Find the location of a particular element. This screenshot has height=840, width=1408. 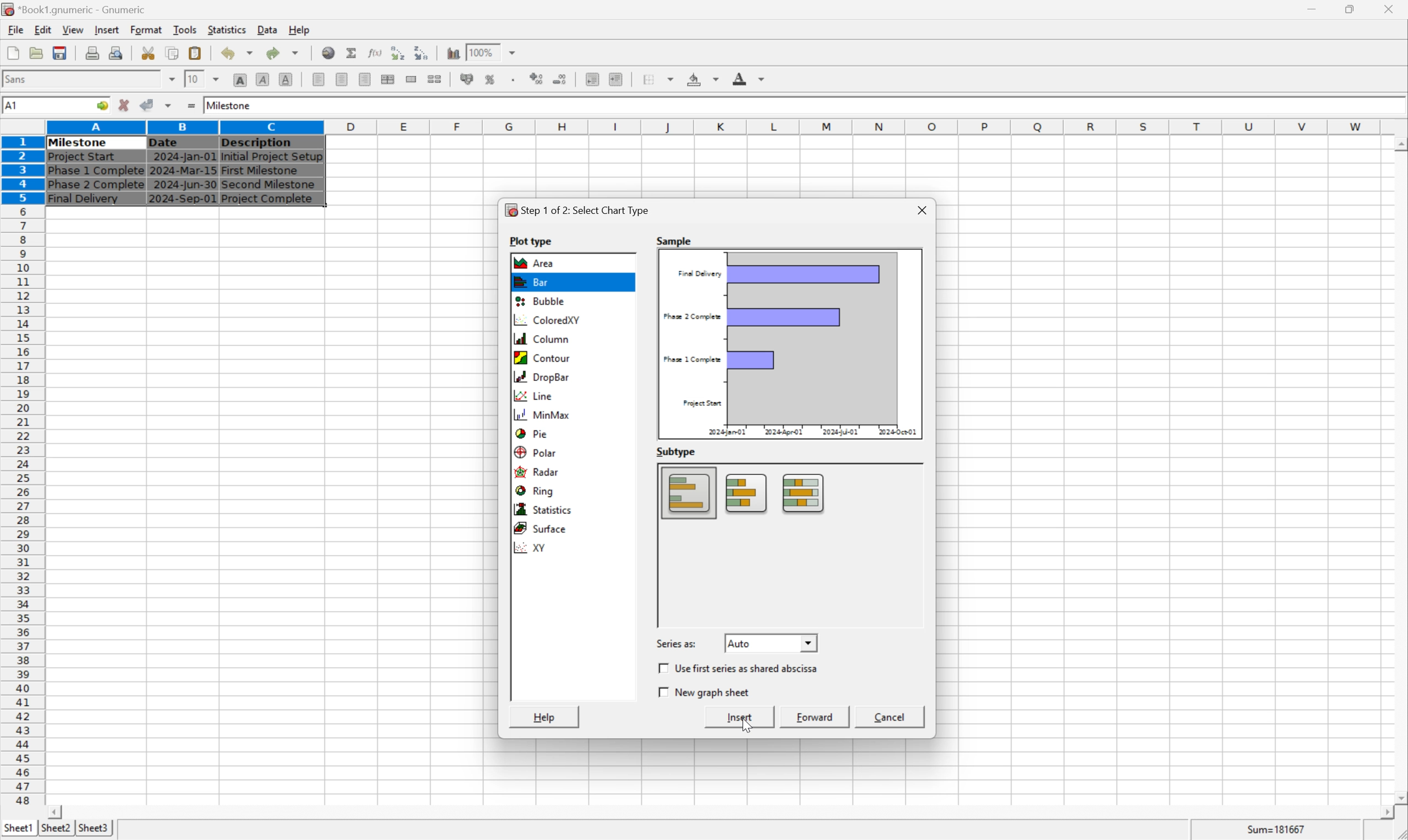

create a new workbook is located at coordinates (12, 54).